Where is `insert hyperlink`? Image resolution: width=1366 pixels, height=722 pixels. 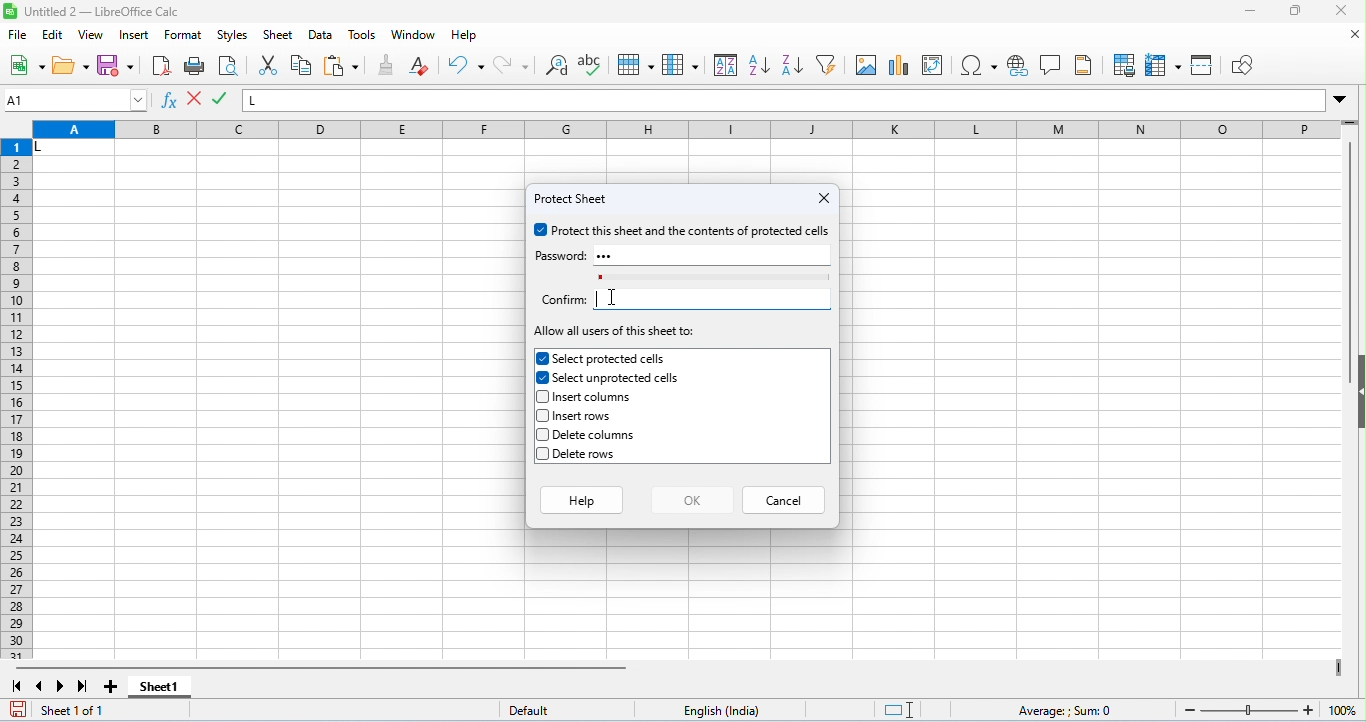 insert hyperlink is located at coordinates (1019, 66).